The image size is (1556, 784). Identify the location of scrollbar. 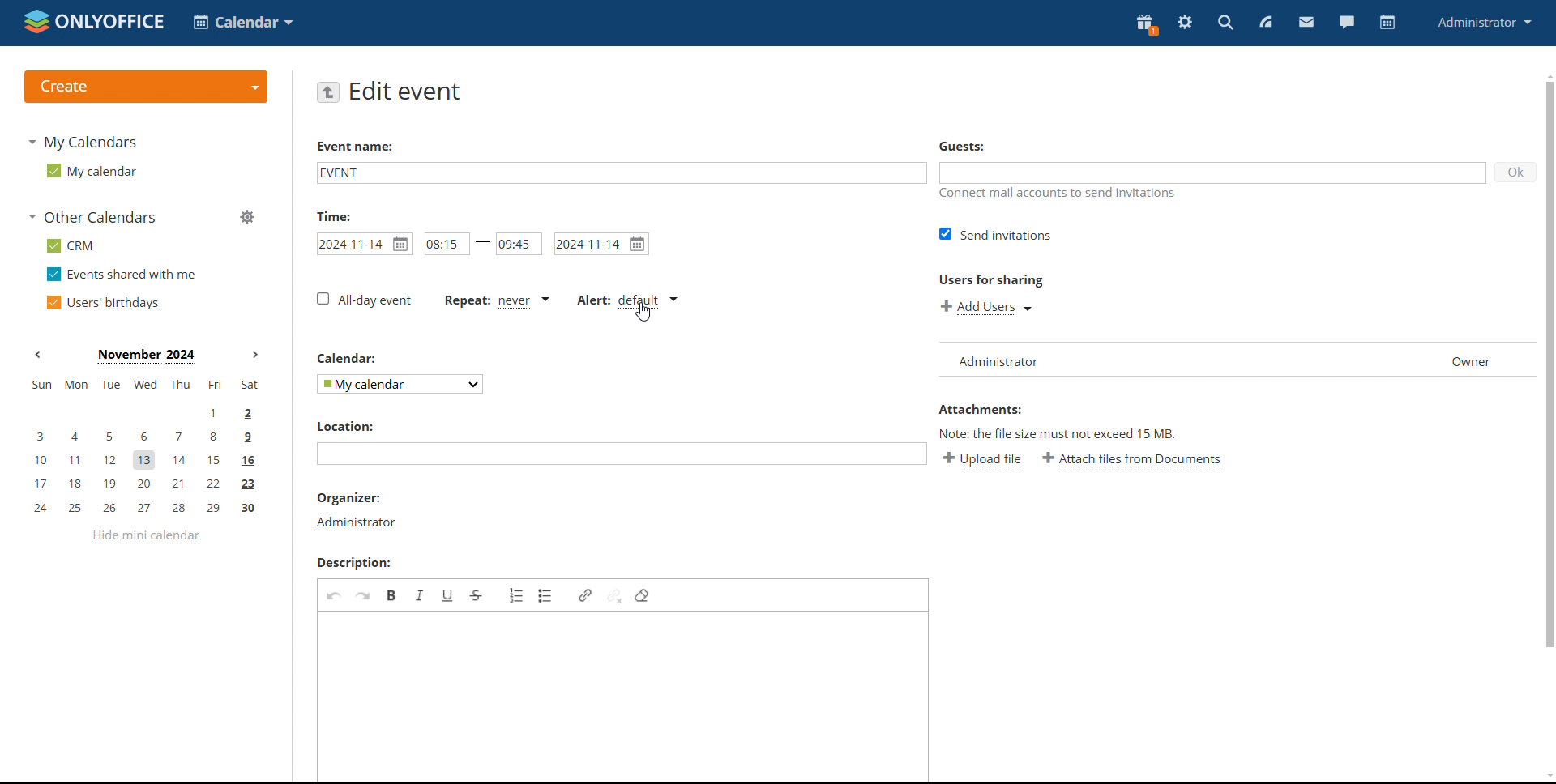
(1549, 364).